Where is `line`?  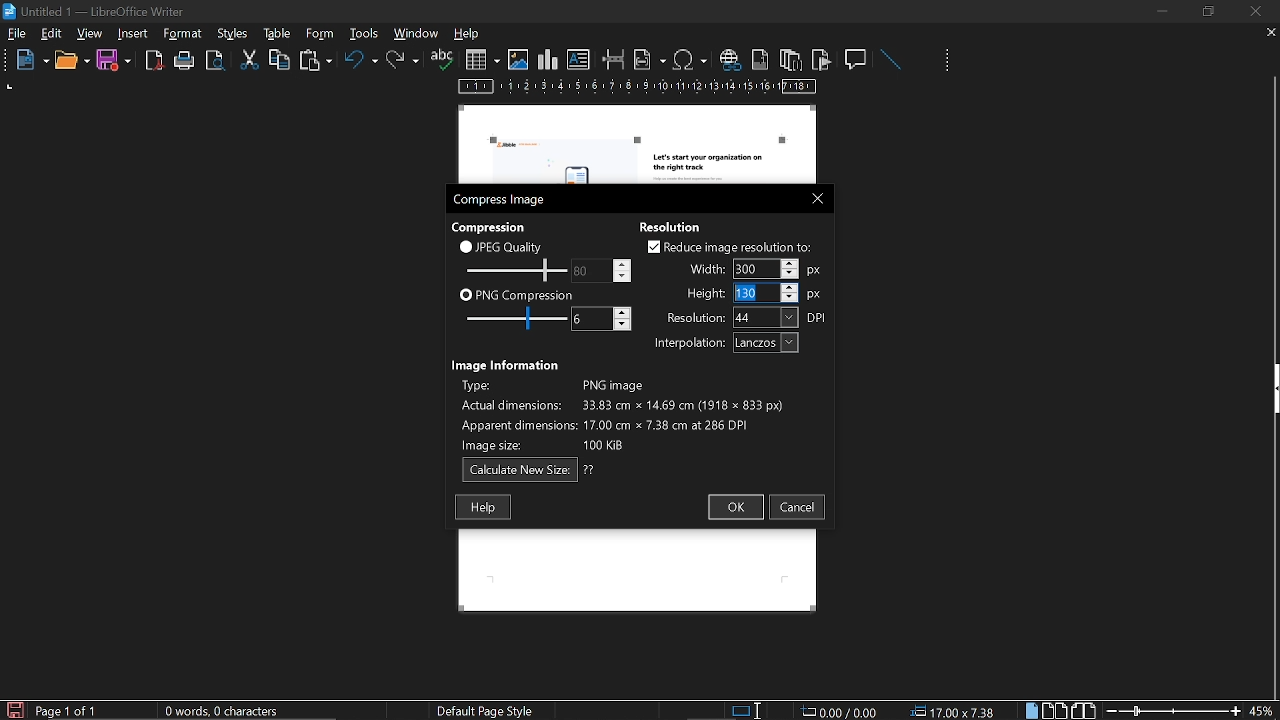
line is located at coordinates (890, 60).